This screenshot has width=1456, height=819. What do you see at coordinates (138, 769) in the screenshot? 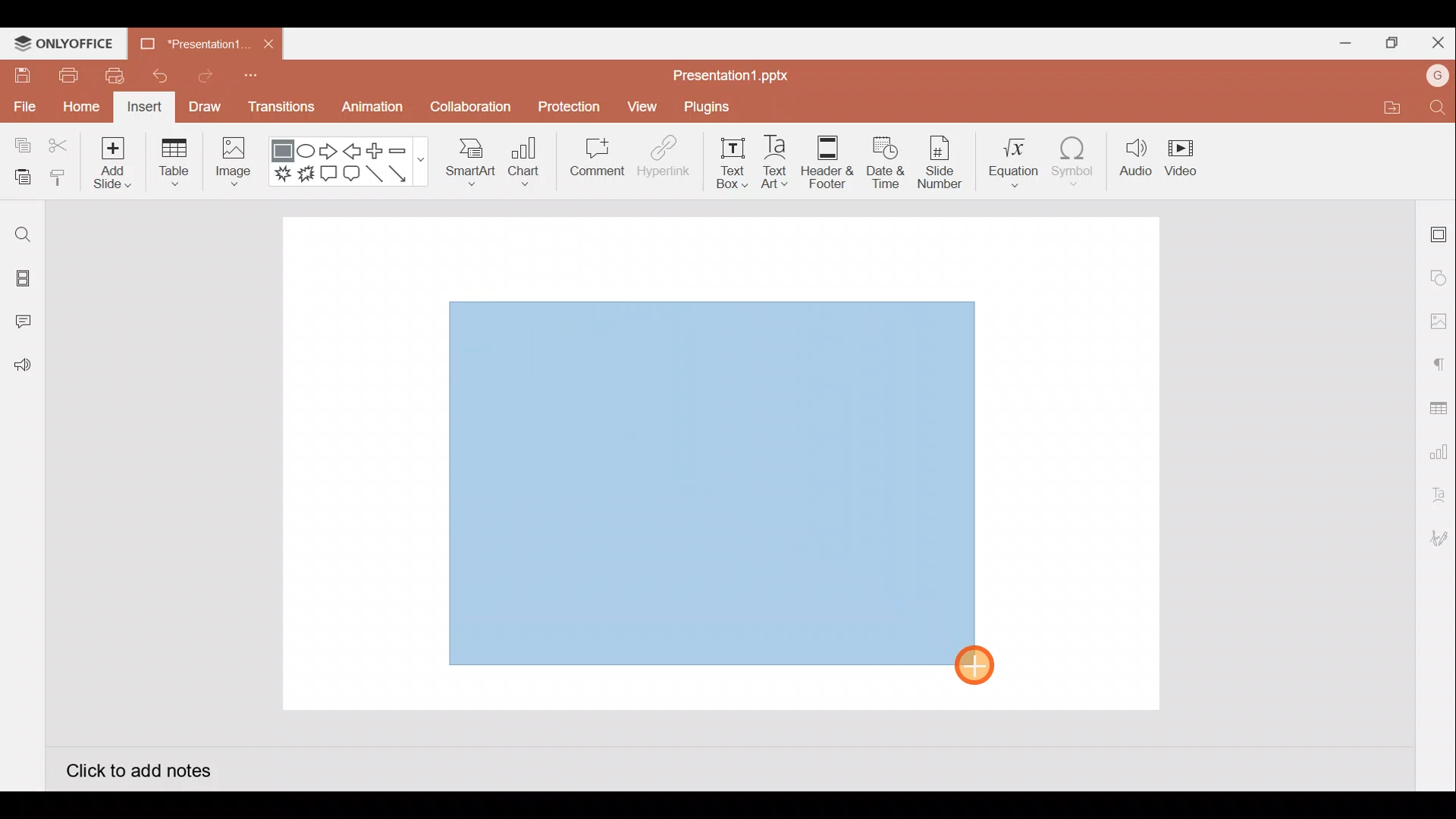
I see `Click to add notes` at bounding box center [138, 769].